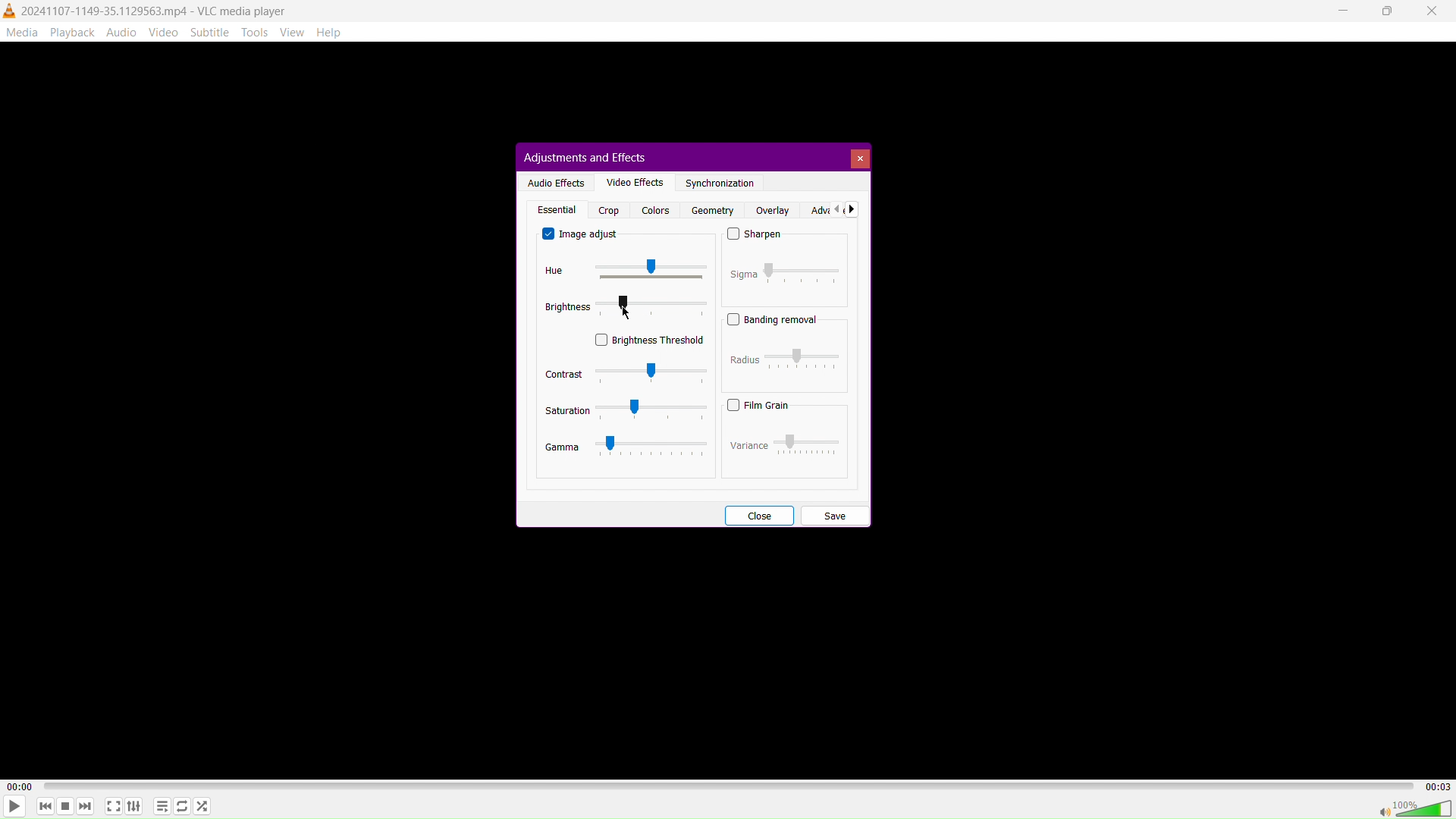  What do you see at coordinates (773, 319) in the screenshot?
I see `Banding Removal` at bounding box center [773, 319].